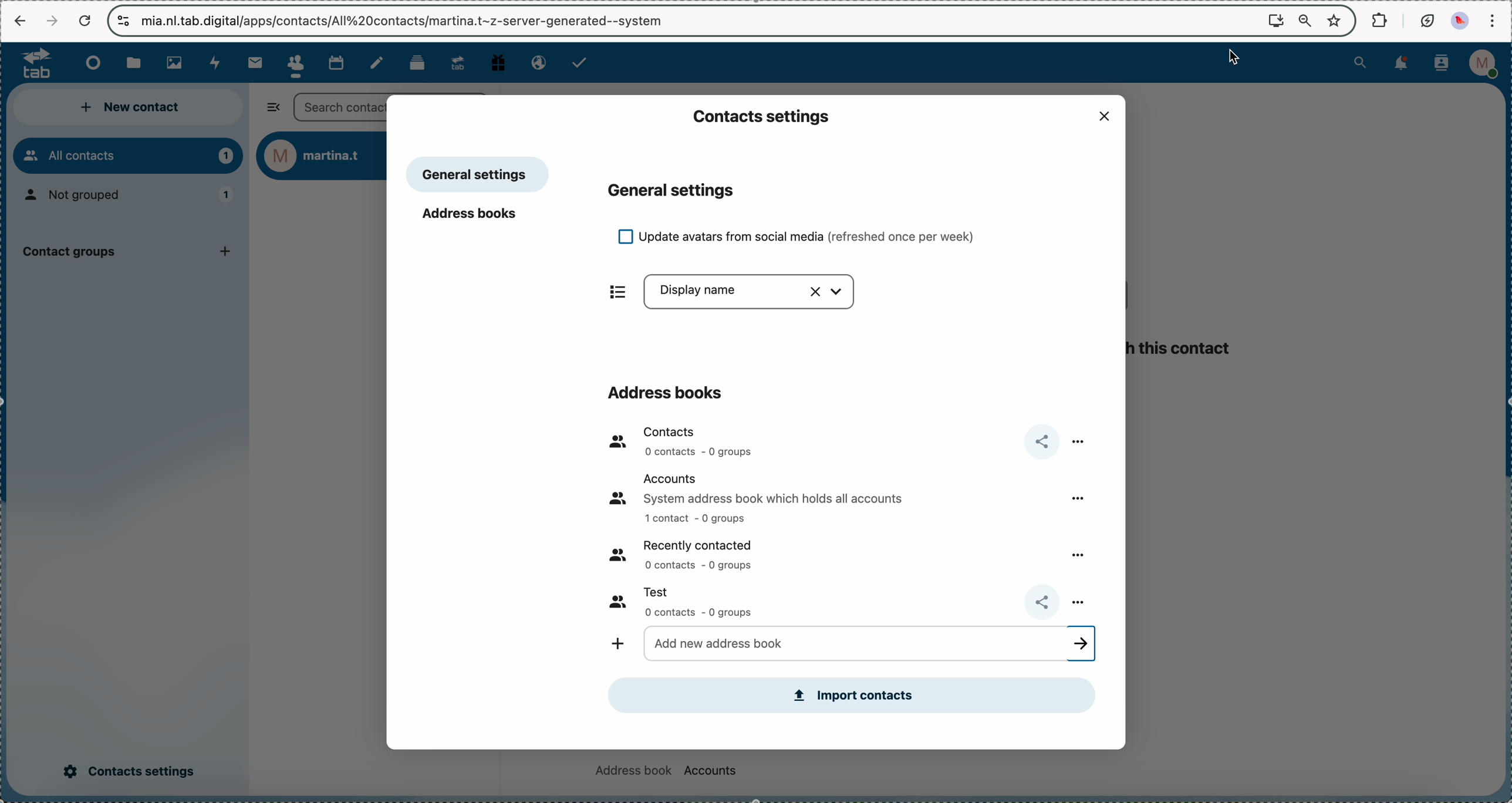  Describe the element at coordinates (1103, 120) in the screenshot. I see `close popup` at that location.